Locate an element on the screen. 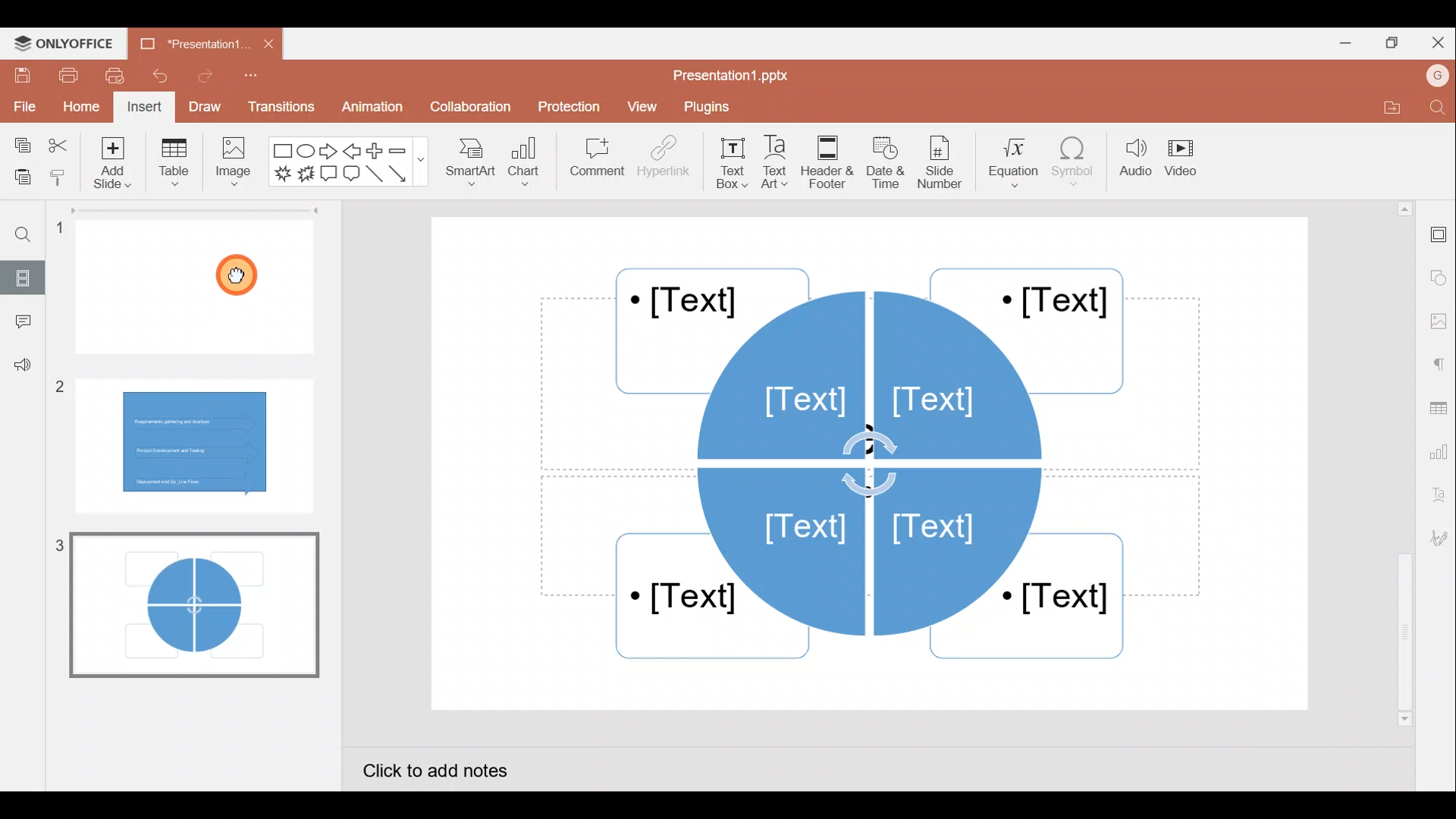 The height and width of the screenshot is (819, 1456). Draw is located at coordinates (203, 105).